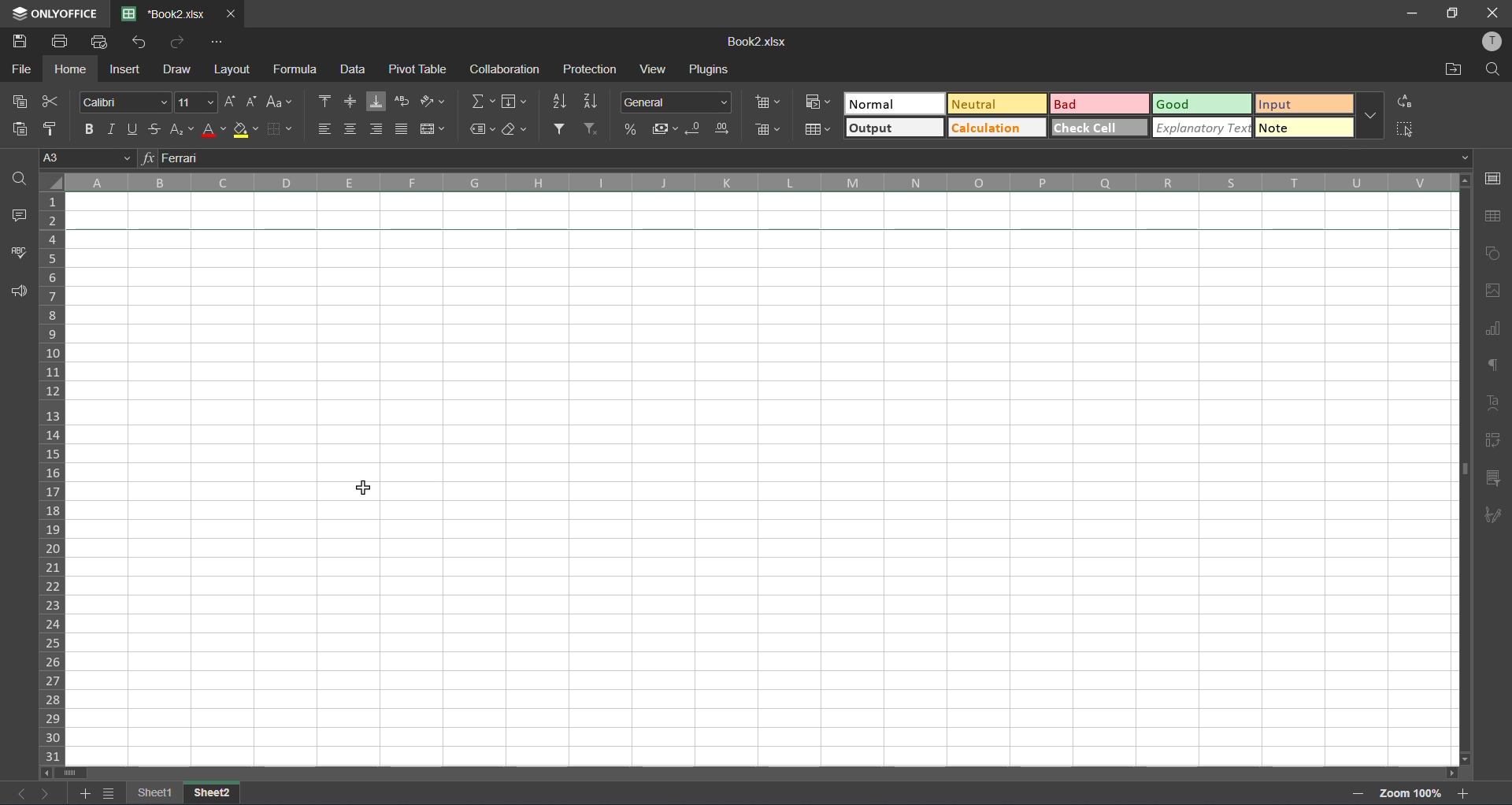 The width and height of the screenshot is (1512, 805). Describe the element at coordinates (1202, 103) in the screenshot. I see `good` at that location.